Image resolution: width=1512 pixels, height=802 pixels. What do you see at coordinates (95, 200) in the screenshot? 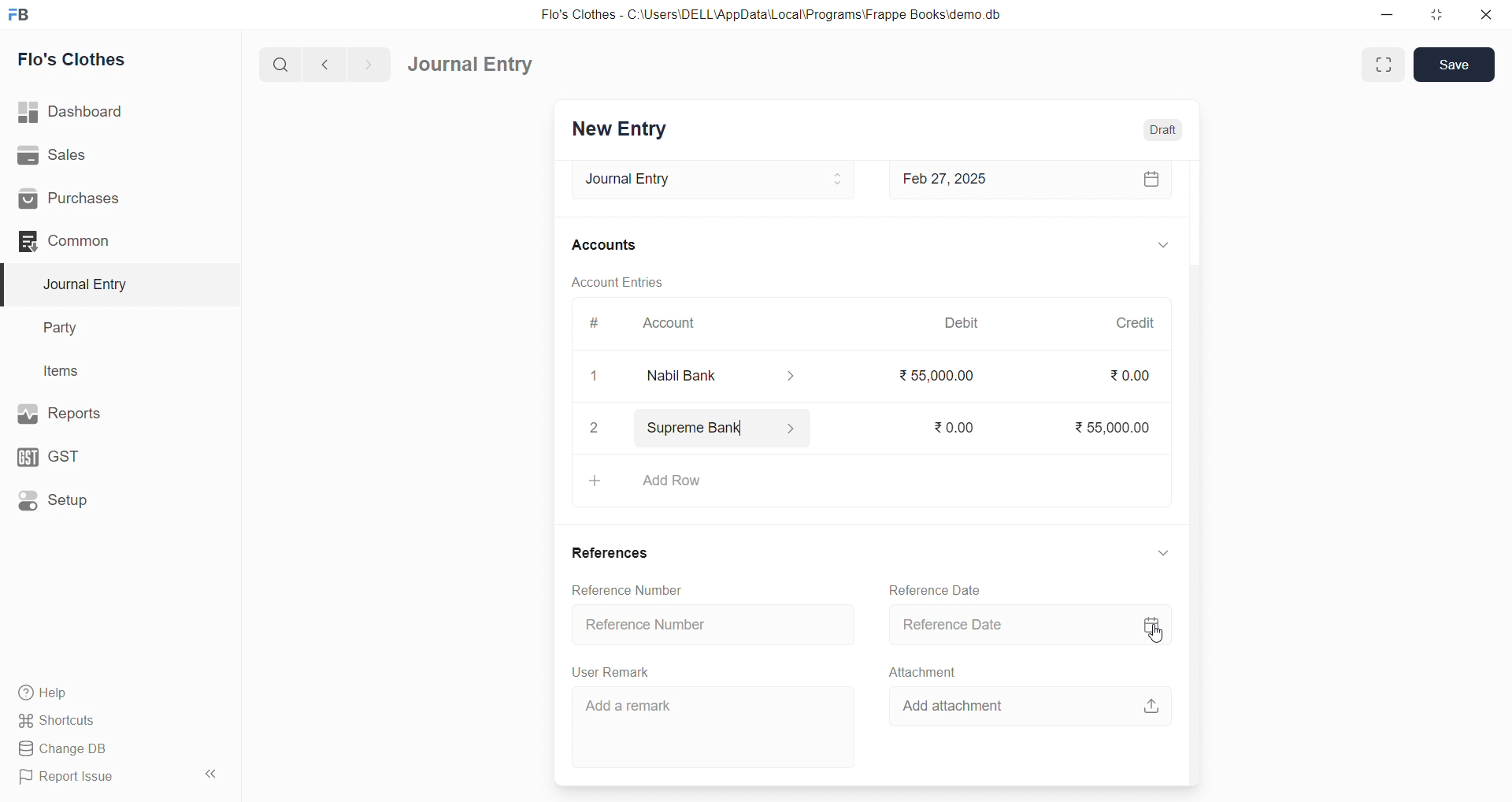
I see `Purchases` at bounding box center [95, 200].